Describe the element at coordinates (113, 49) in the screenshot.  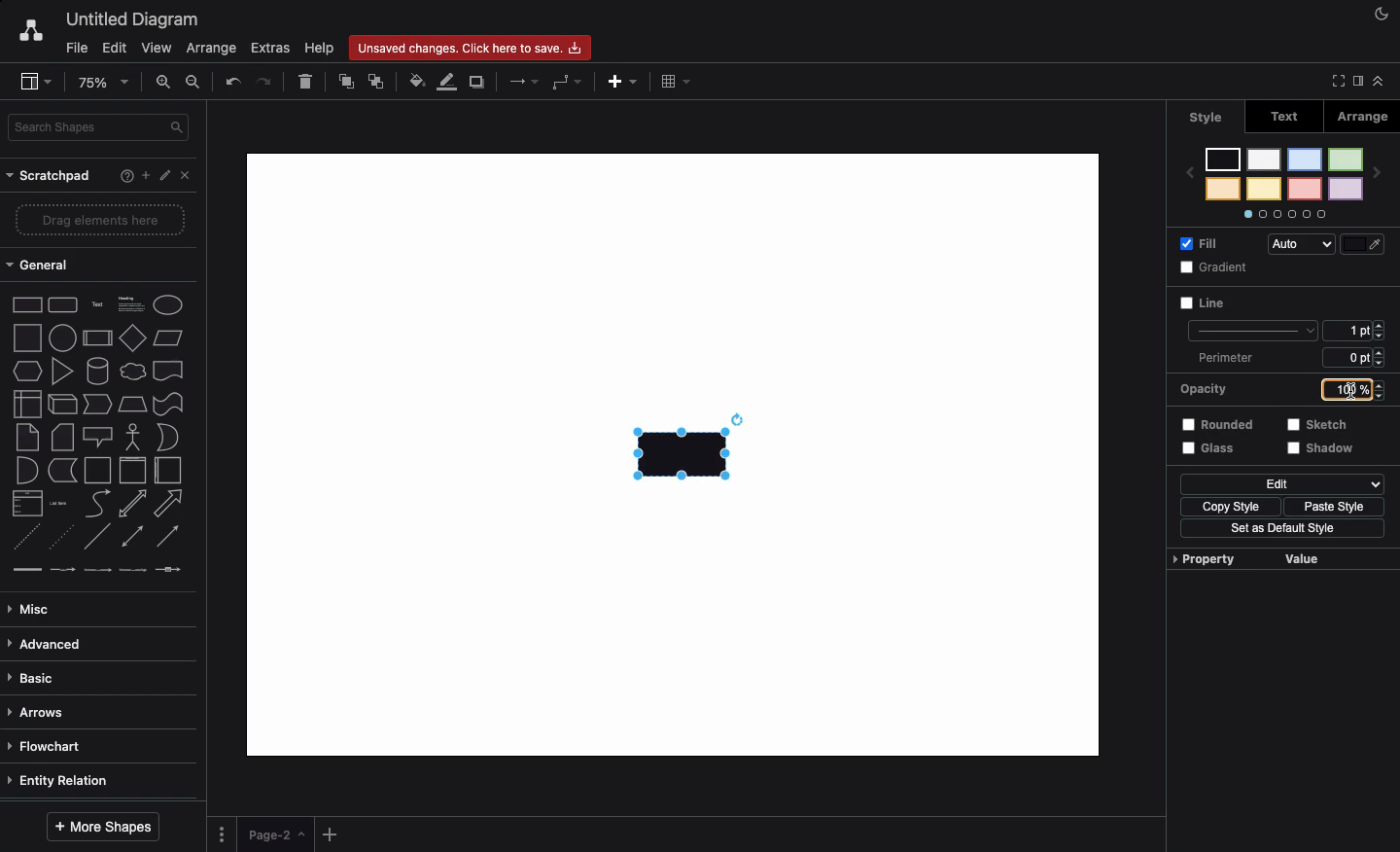
I see `Edit` at that location.